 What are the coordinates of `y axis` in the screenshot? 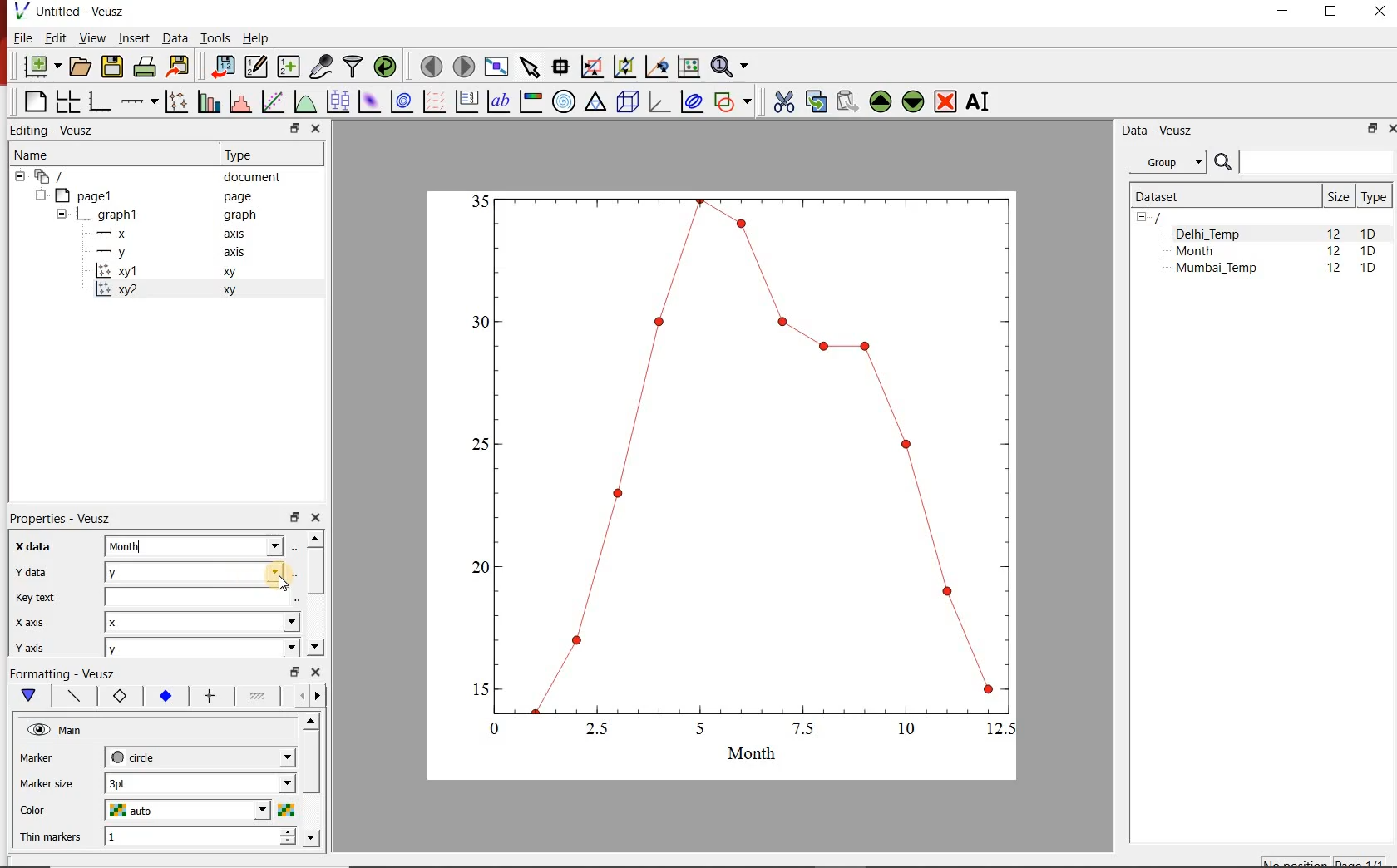 It's located at (28, 648).